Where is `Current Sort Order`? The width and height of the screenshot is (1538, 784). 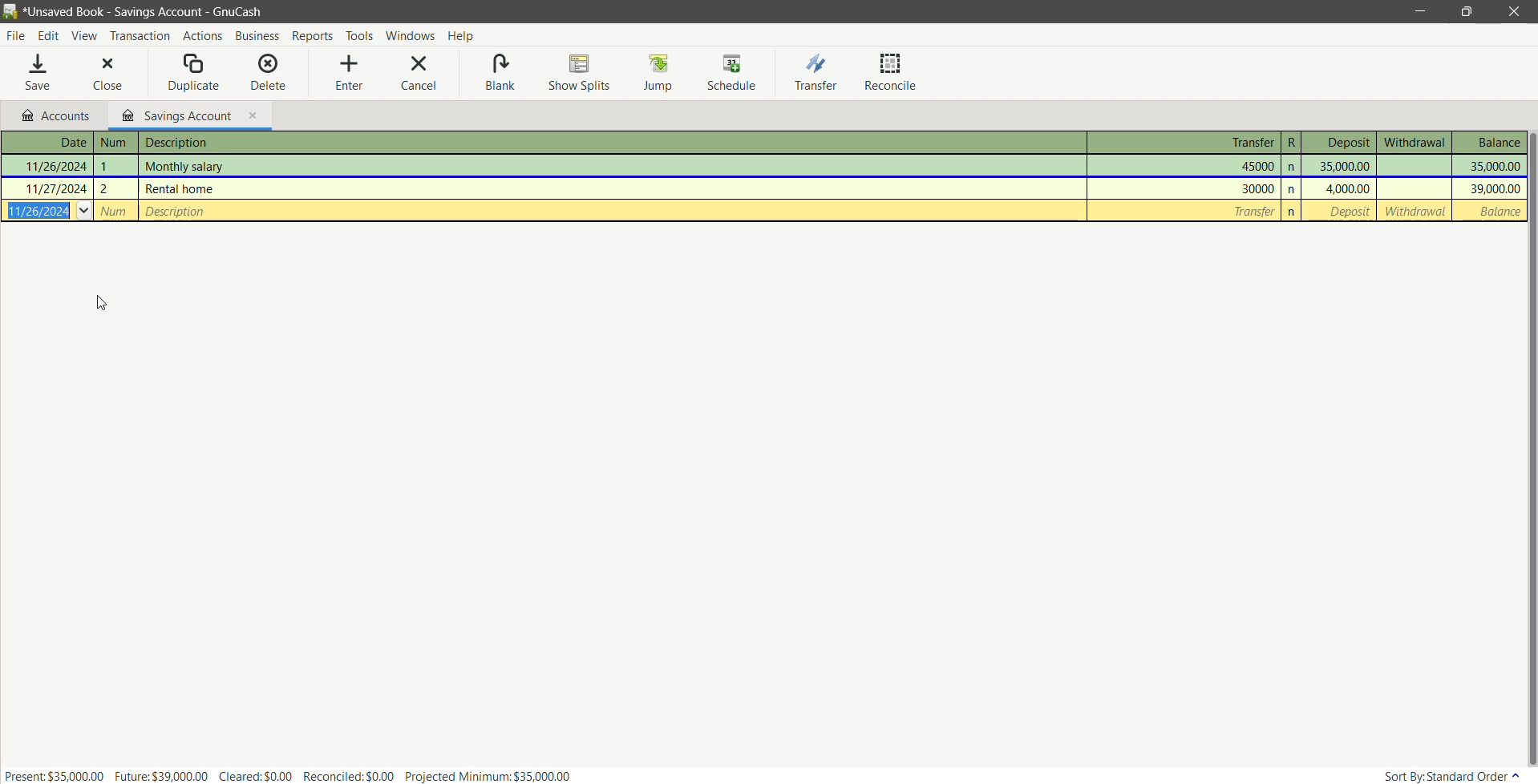
Current Sort Order is located at coordinates (1447, 776).